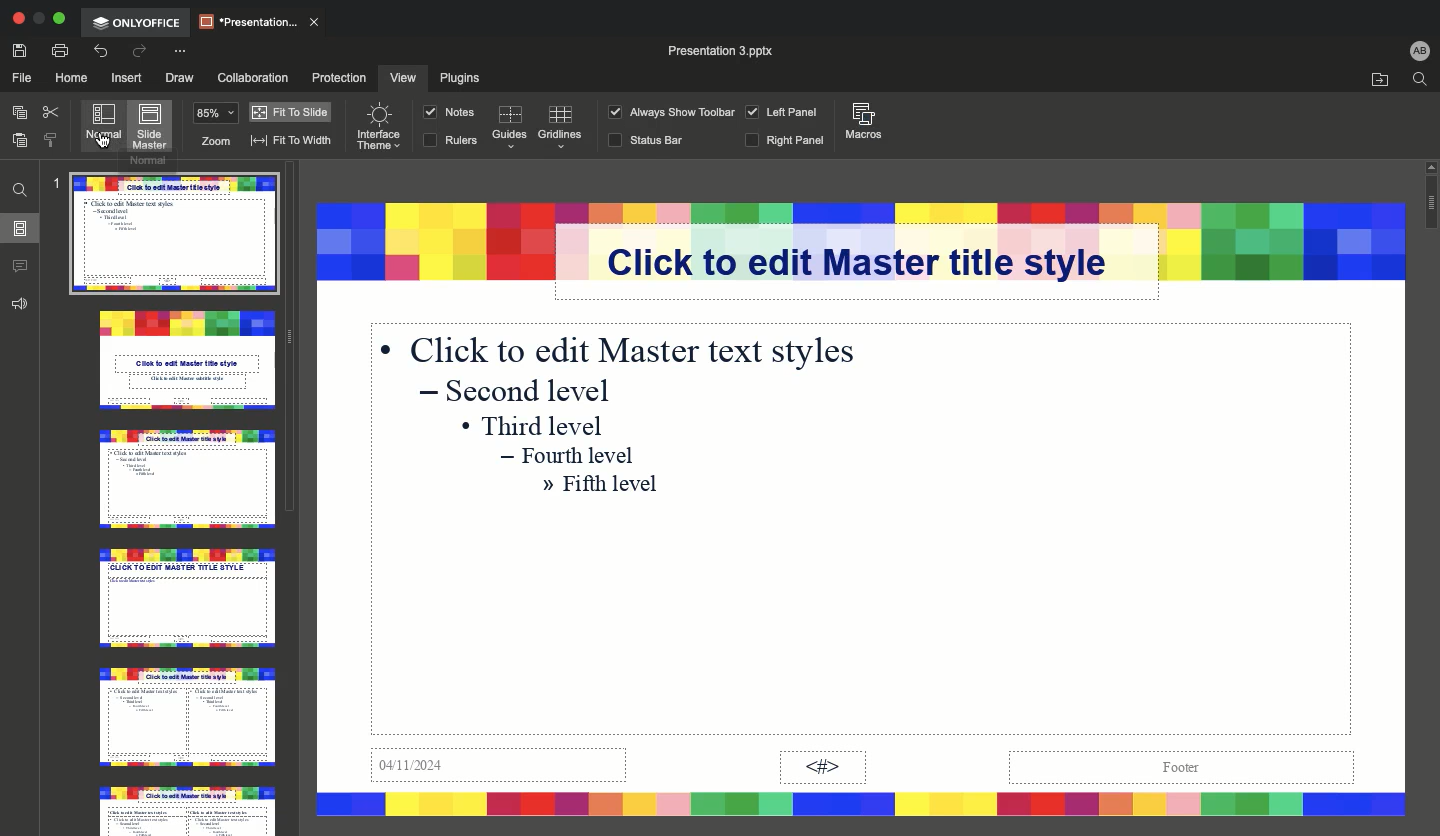 Image resolution: width=1440 pixels, height=836 pixels. Describe the element at coordinates (291, 140) in the screenshot. I see `Fit to width` at that location.